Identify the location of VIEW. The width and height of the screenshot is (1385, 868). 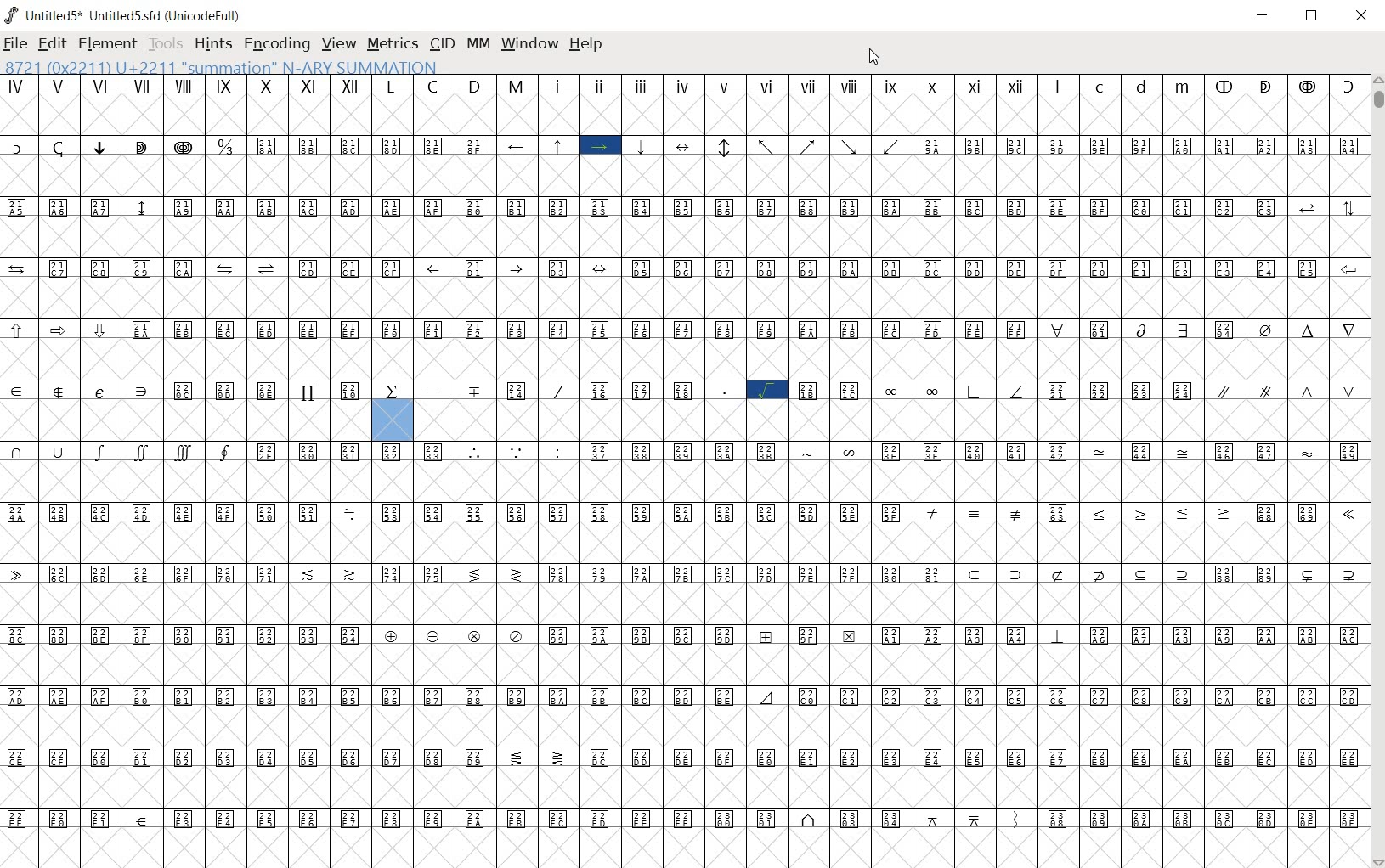
(339, 43).